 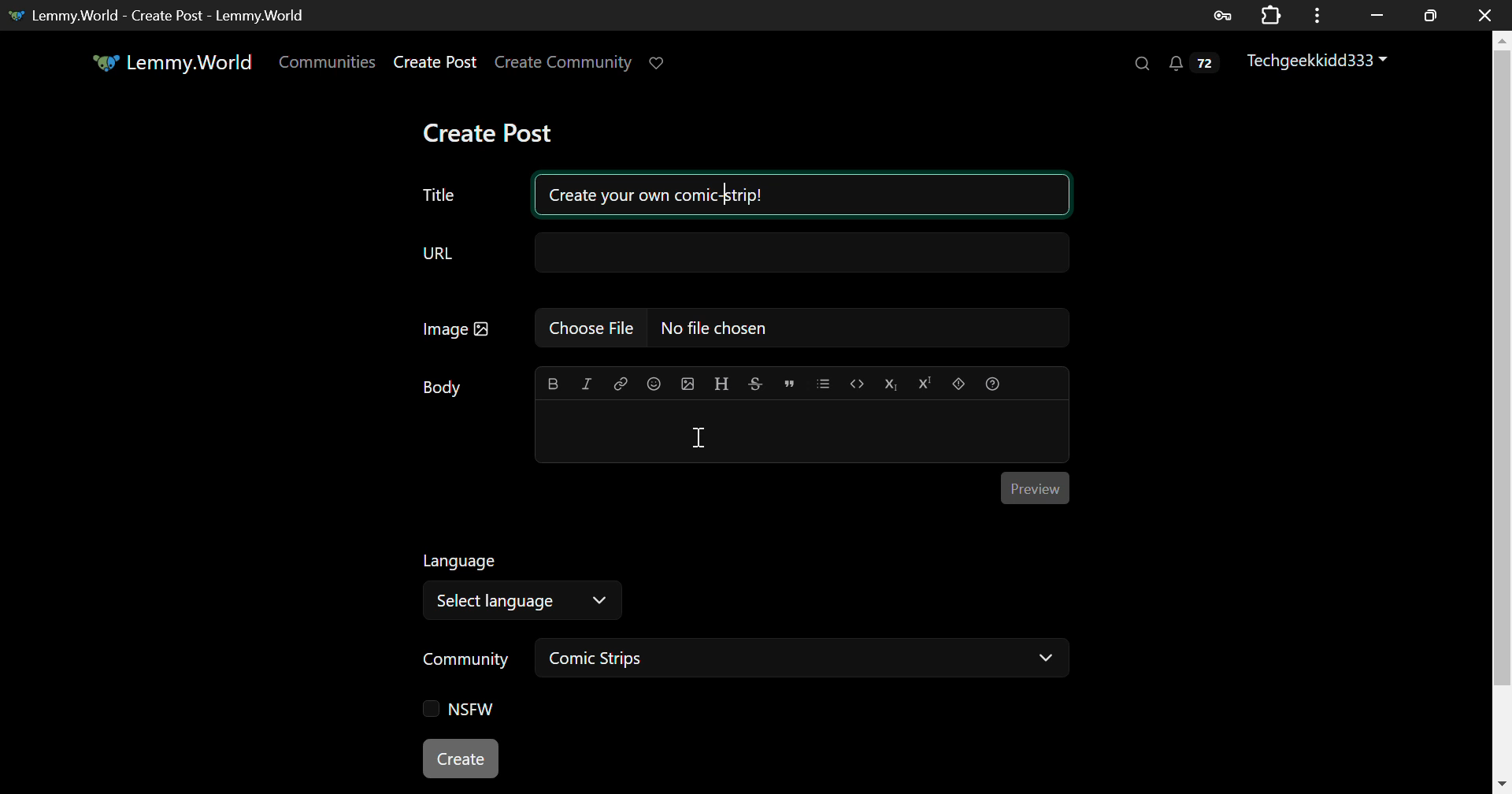 What do you see at coordinates (443, 388) in the screenshot?
I see `Body` at bounding box center [443, 388].